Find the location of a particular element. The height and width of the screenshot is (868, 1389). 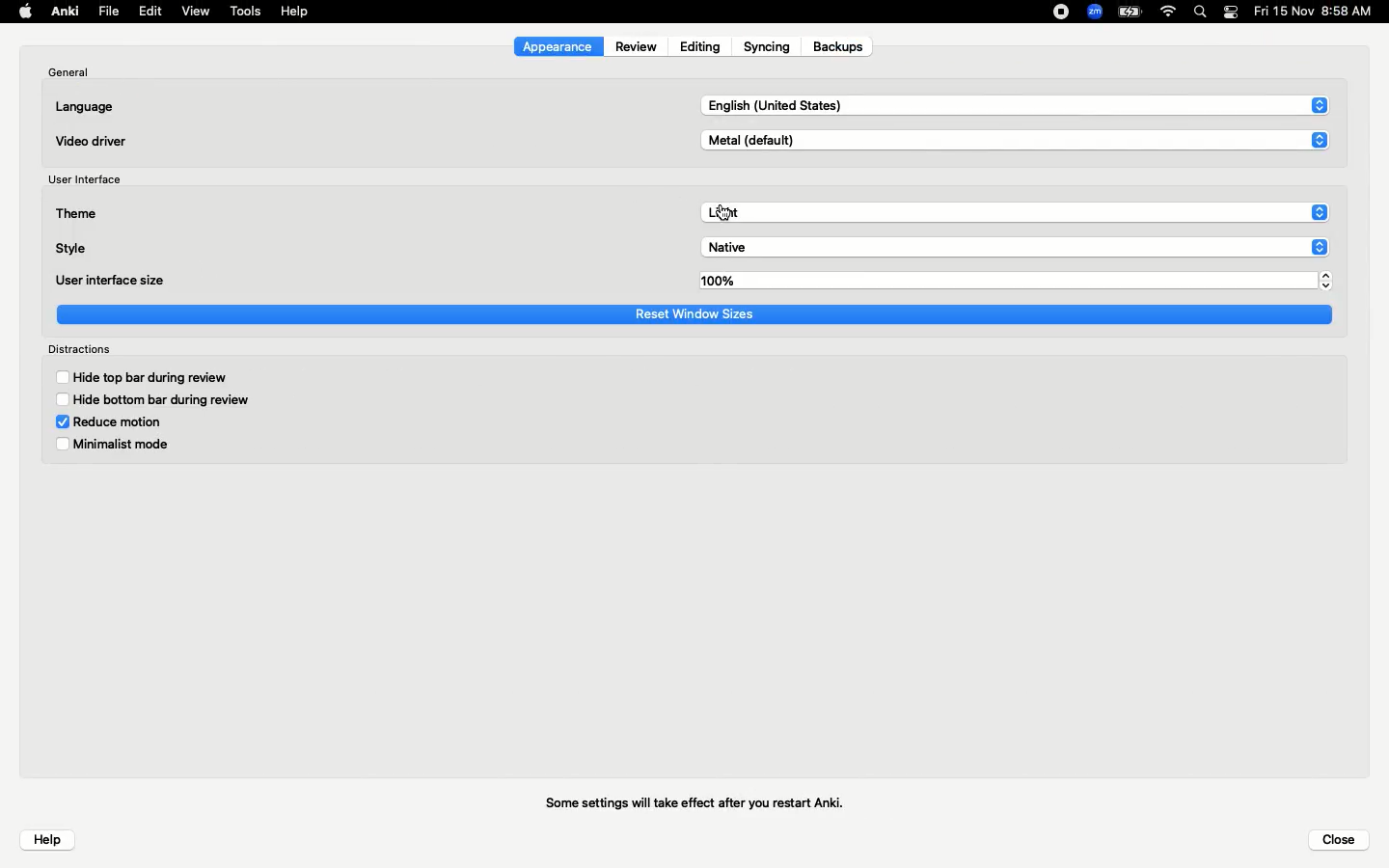

General is located at coordinates (72, 69).